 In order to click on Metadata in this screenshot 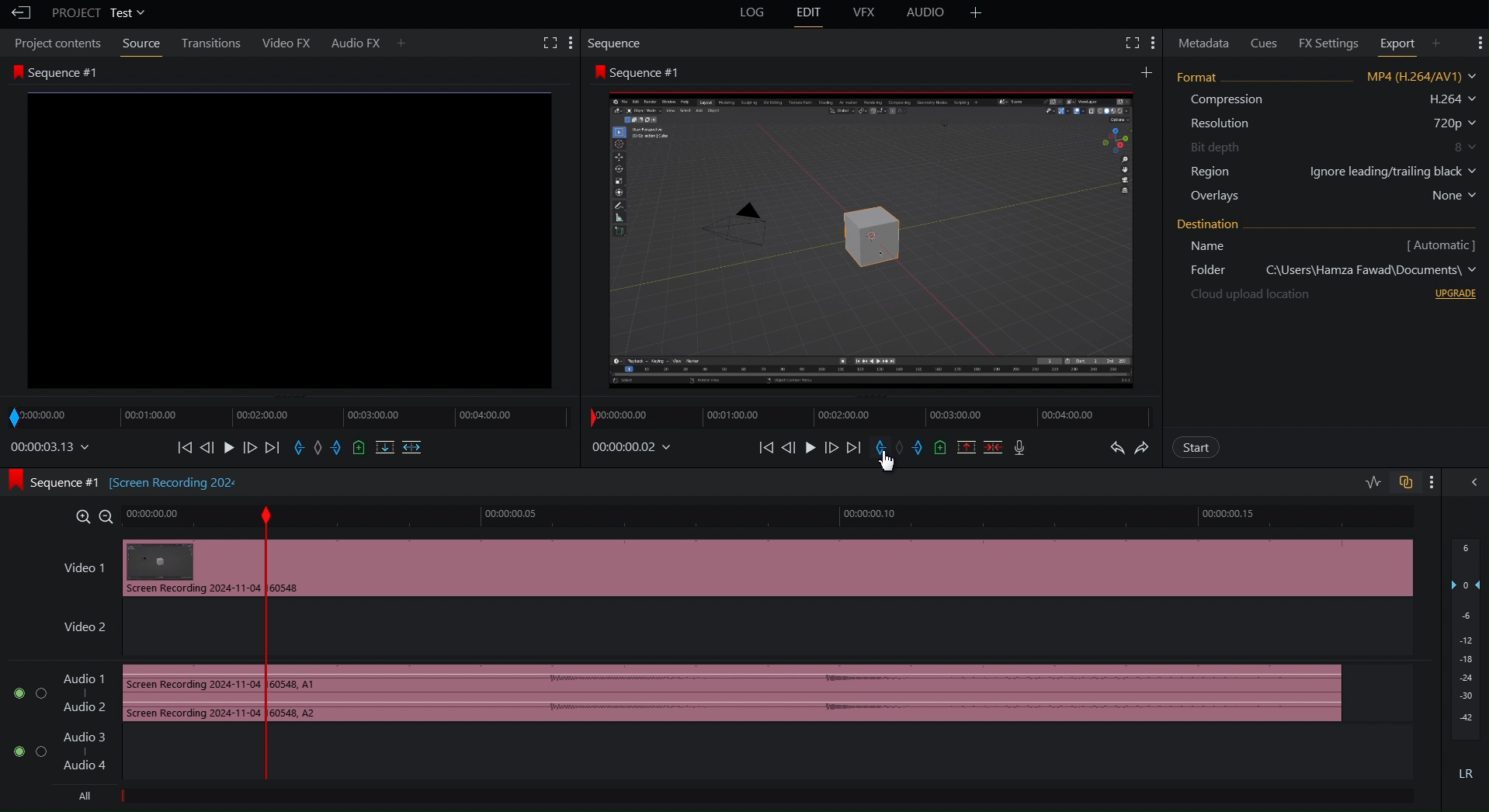, I will do `click(1203, 42)`.